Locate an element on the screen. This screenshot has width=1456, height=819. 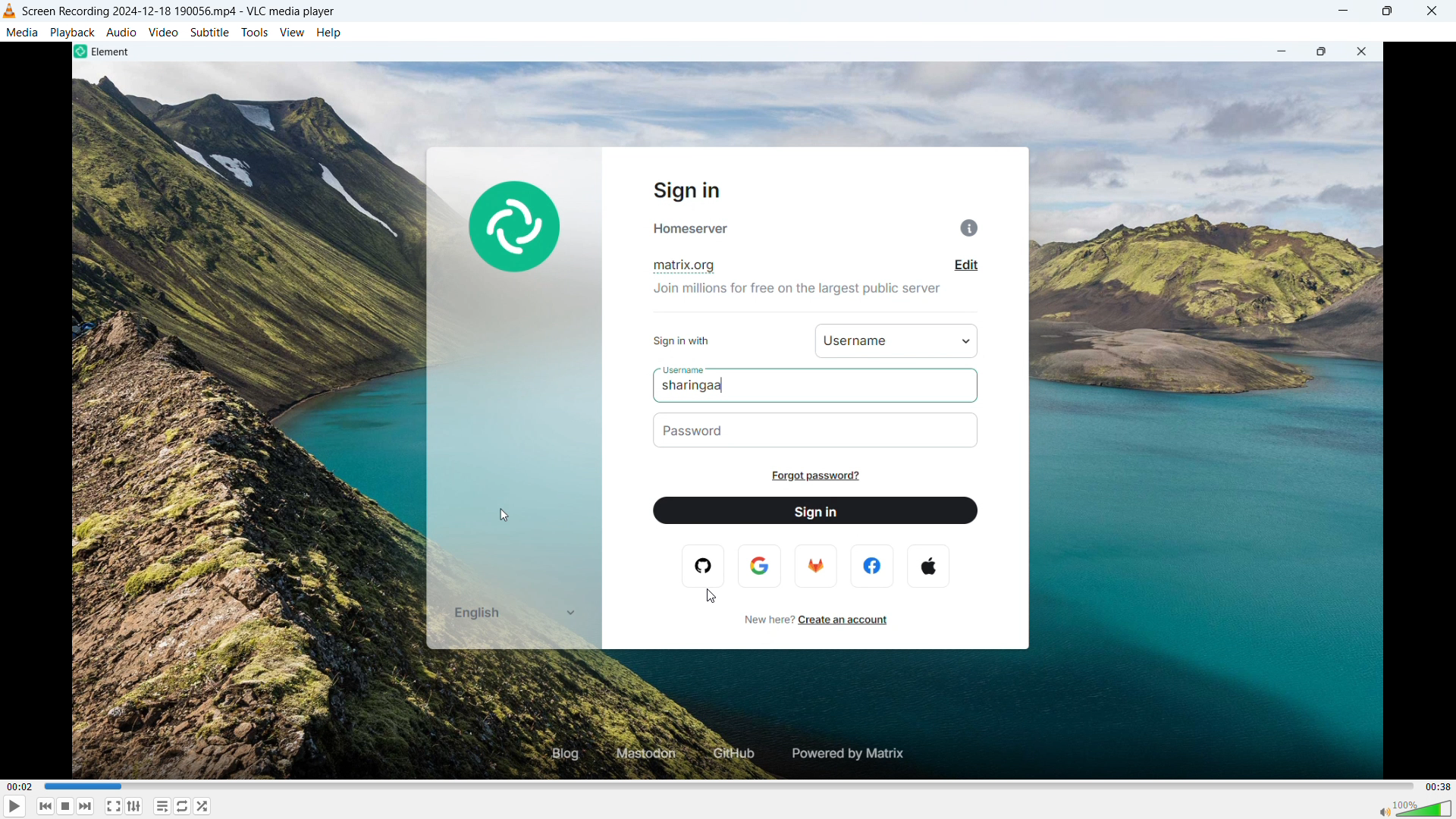
toggle between loop all, loop one & no loop is located at coordinates (182, 806).